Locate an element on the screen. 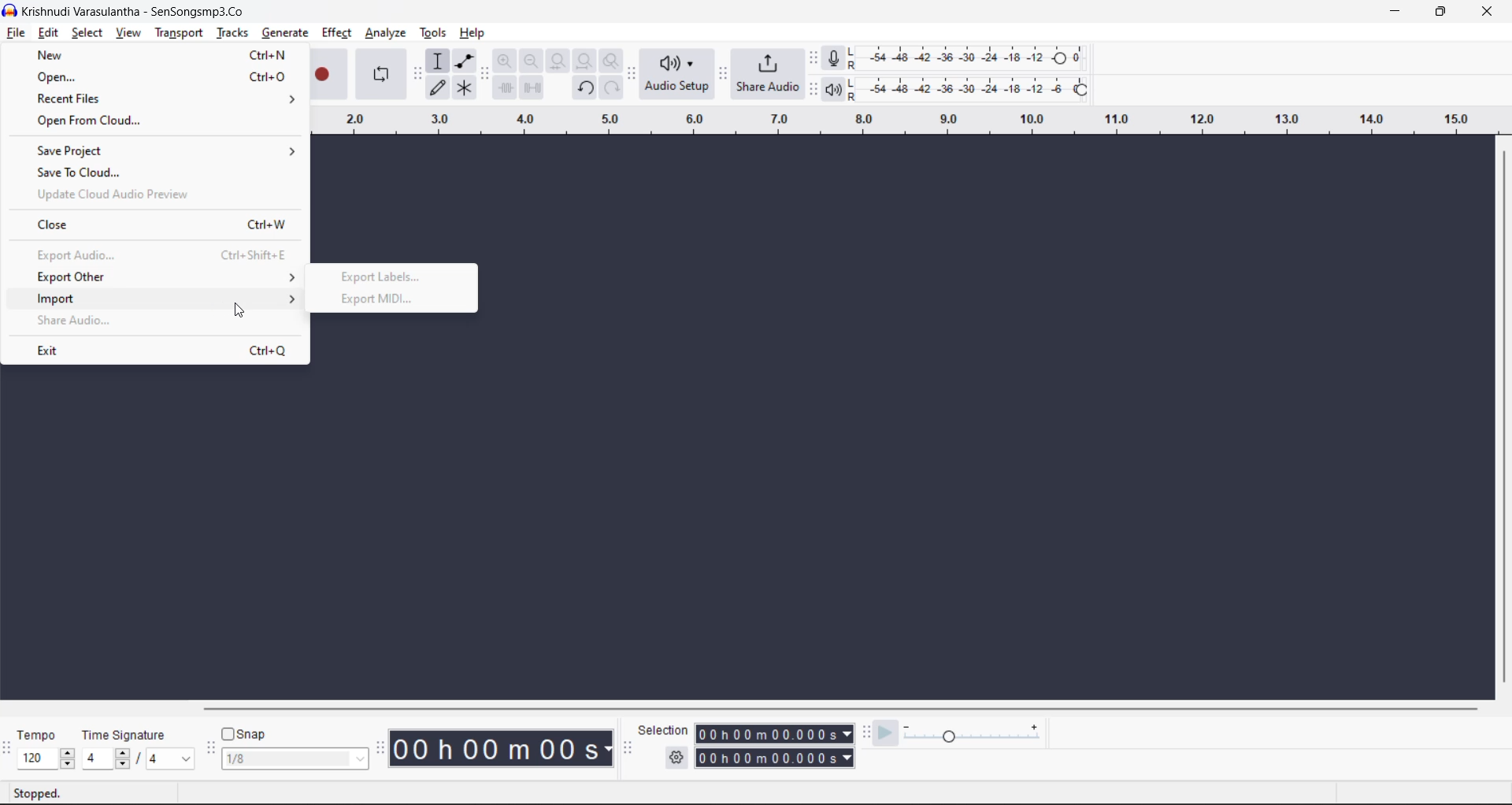 The image size is (1512, 805). transport is located at coordinates (179, 33).